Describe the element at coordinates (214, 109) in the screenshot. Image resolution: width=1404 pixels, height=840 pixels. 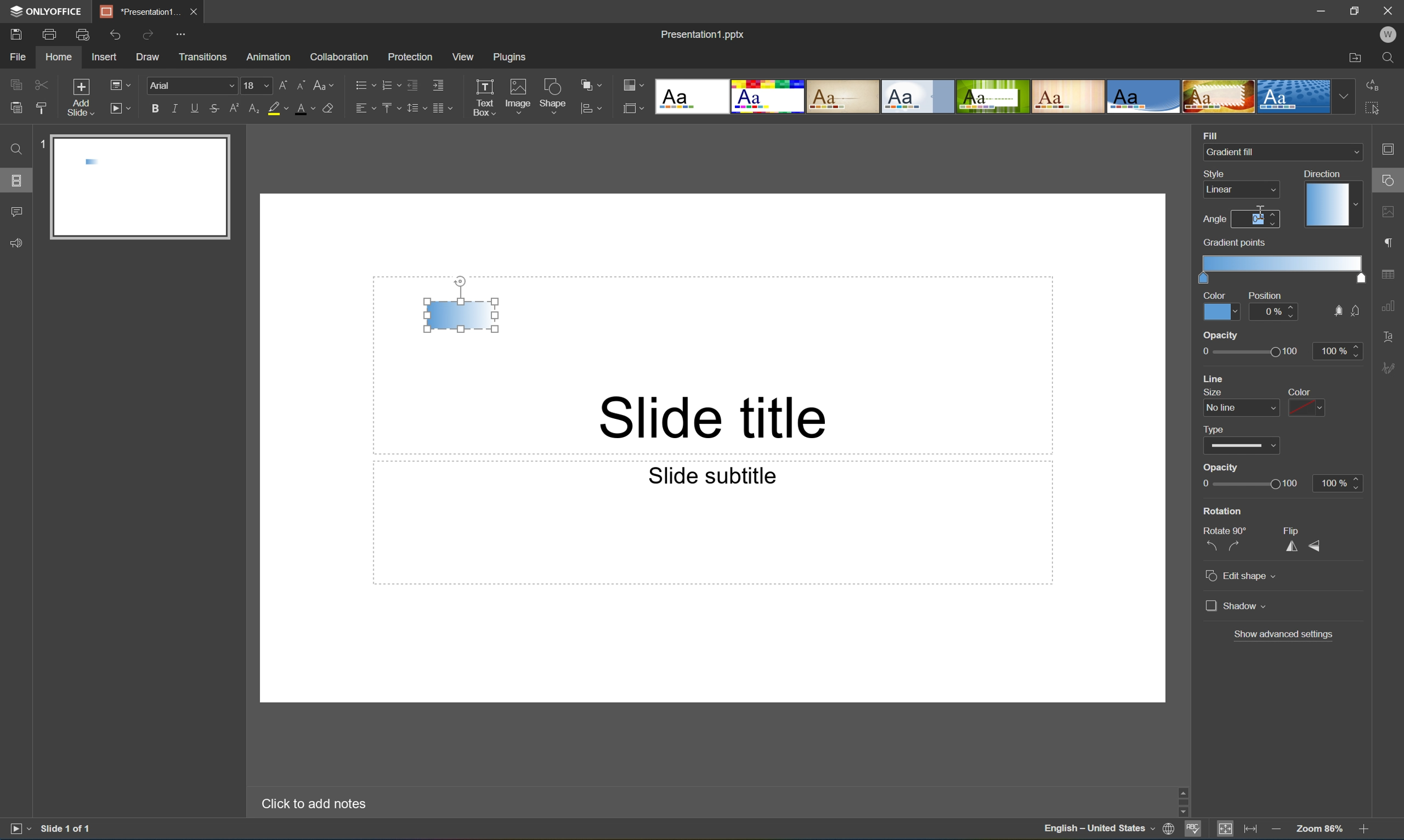
I see `Strikethrough` at that location.